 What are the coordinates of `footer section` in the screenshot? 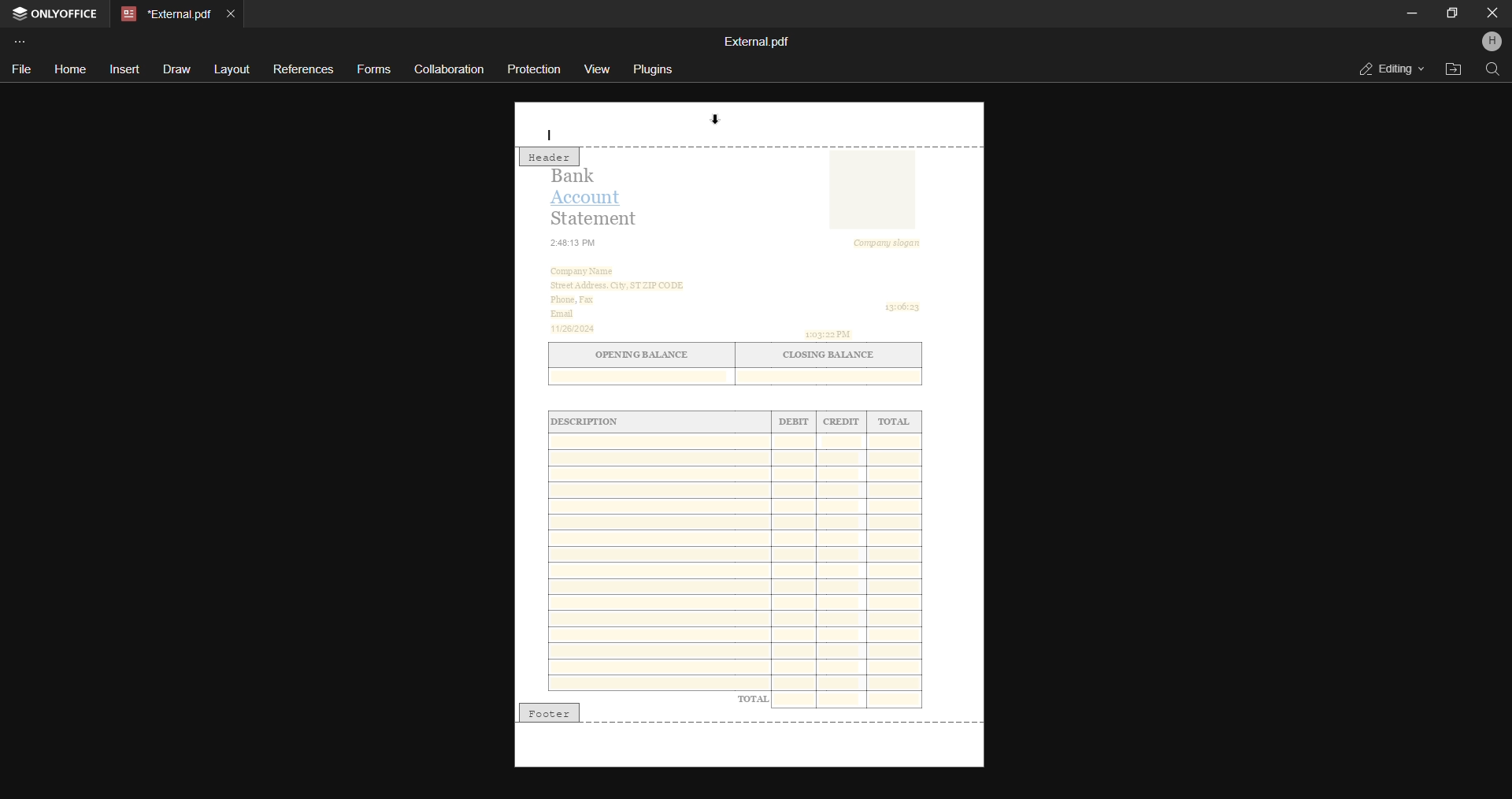 It's located at (747, 746).